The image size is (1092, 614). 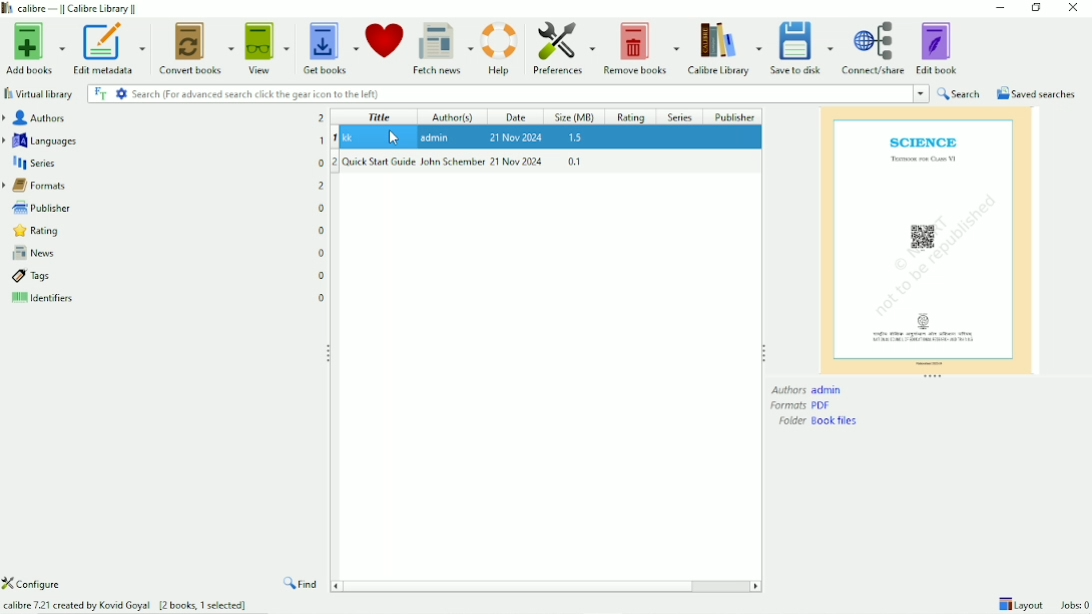 I want to click on Calibre Library, so click(x=723, y=48).